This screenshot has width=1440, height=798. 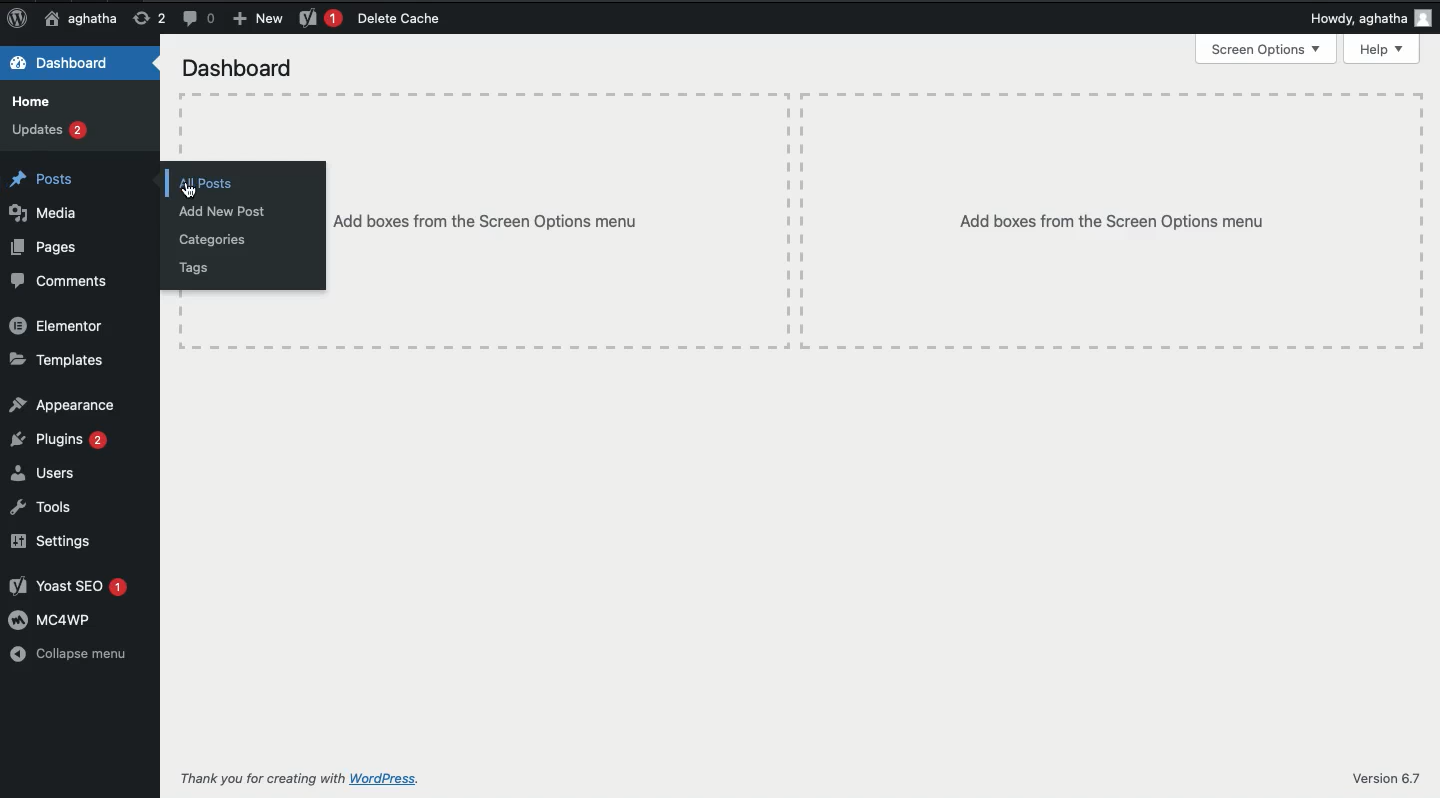 I want to click on Cursor, so click(x=187, y=192).